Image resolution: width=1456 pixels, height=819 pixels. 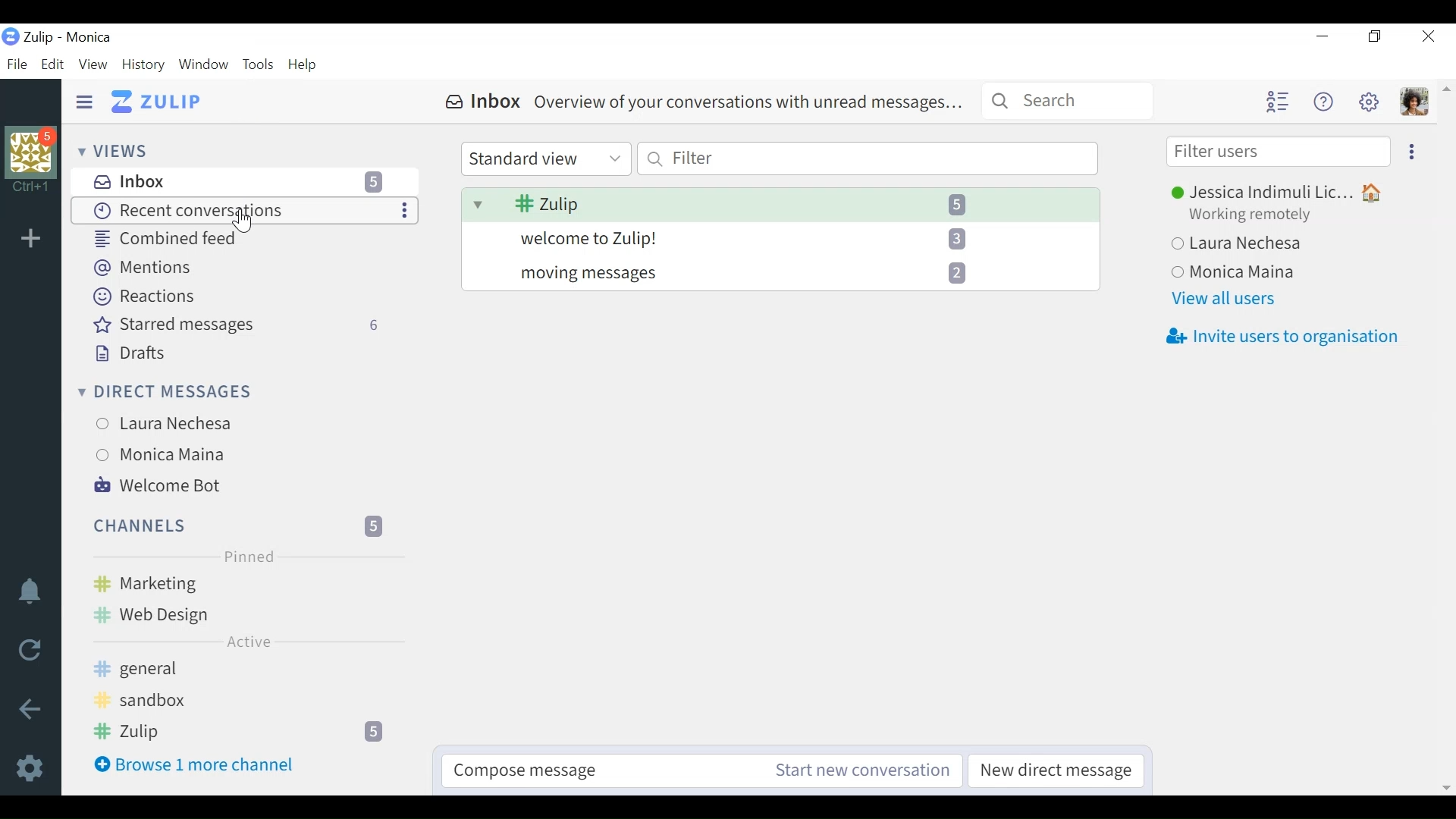 What do you see at coordinates (162, 485) in the screenshot?
I see `Welcome Bot` at bounding box center [162, 485].